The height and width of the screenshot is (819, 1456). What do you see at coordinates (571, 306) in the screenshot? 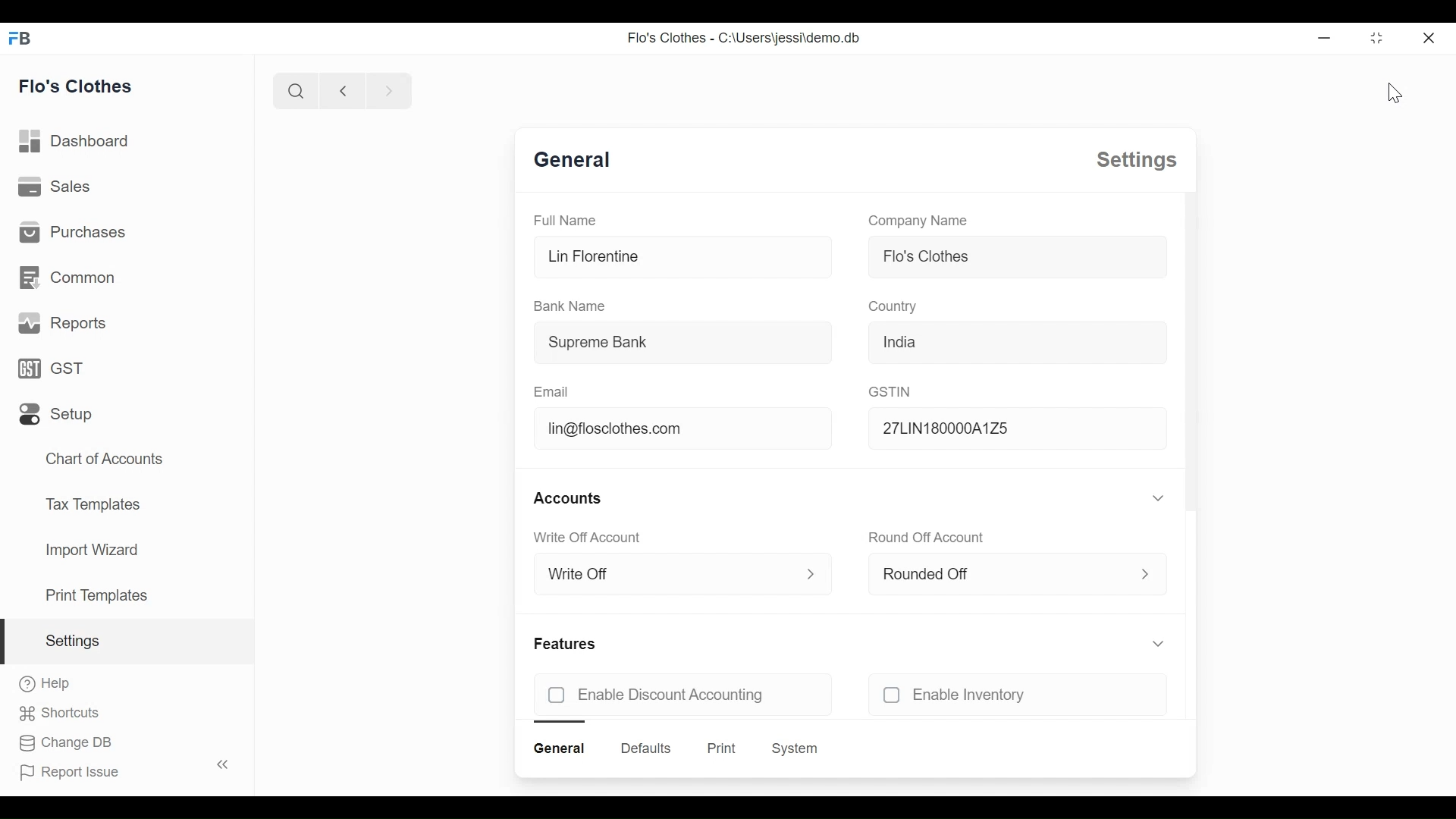
I see `Bank Name` at bounding box center [571, 306].